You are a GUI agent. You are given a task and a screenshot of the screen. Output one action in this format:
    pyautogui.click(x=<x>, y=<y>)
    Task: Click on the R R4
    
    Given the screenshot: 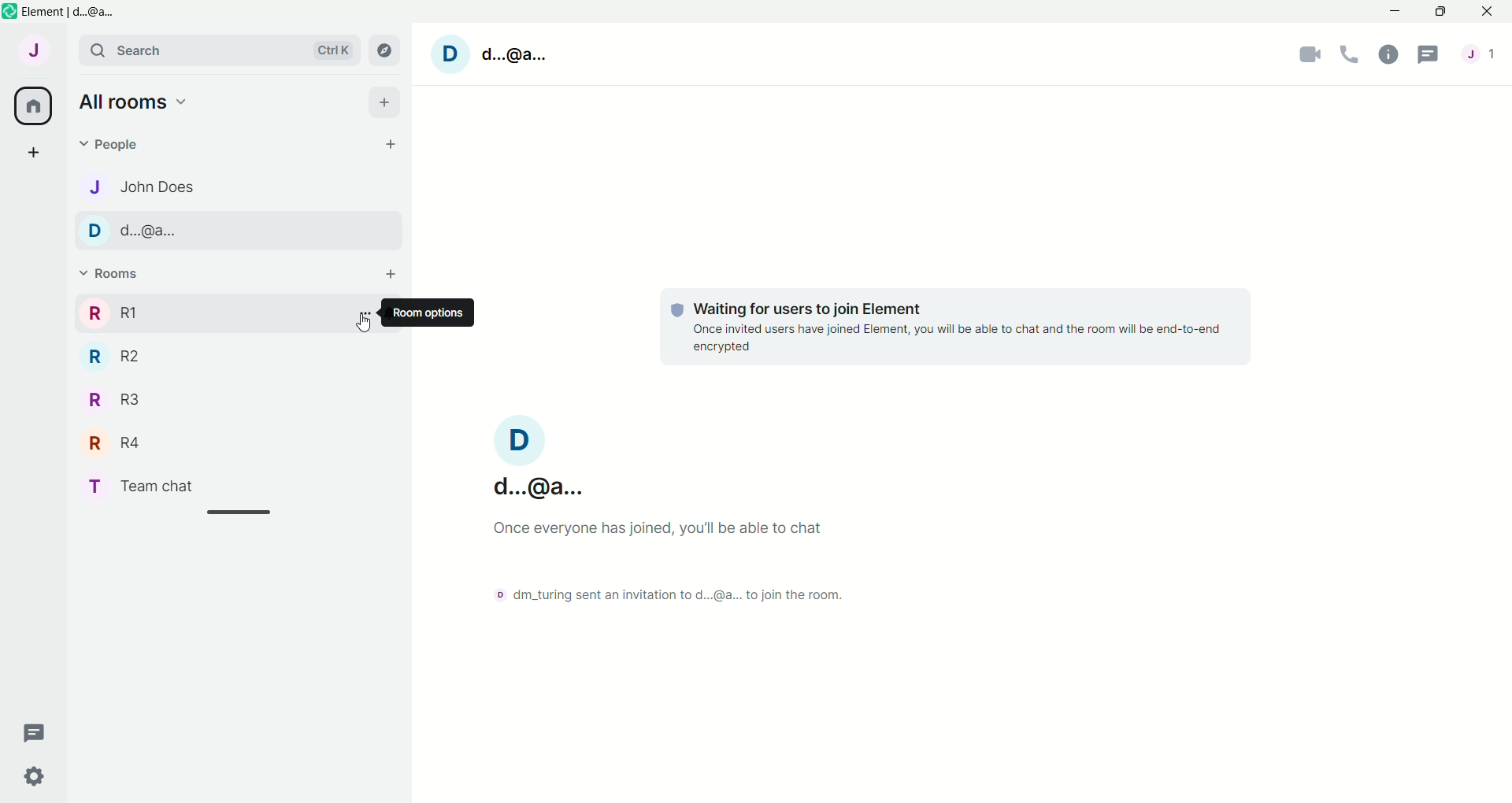 What is the action you would take?
    pyautogui.click(x=134, y=443)
    